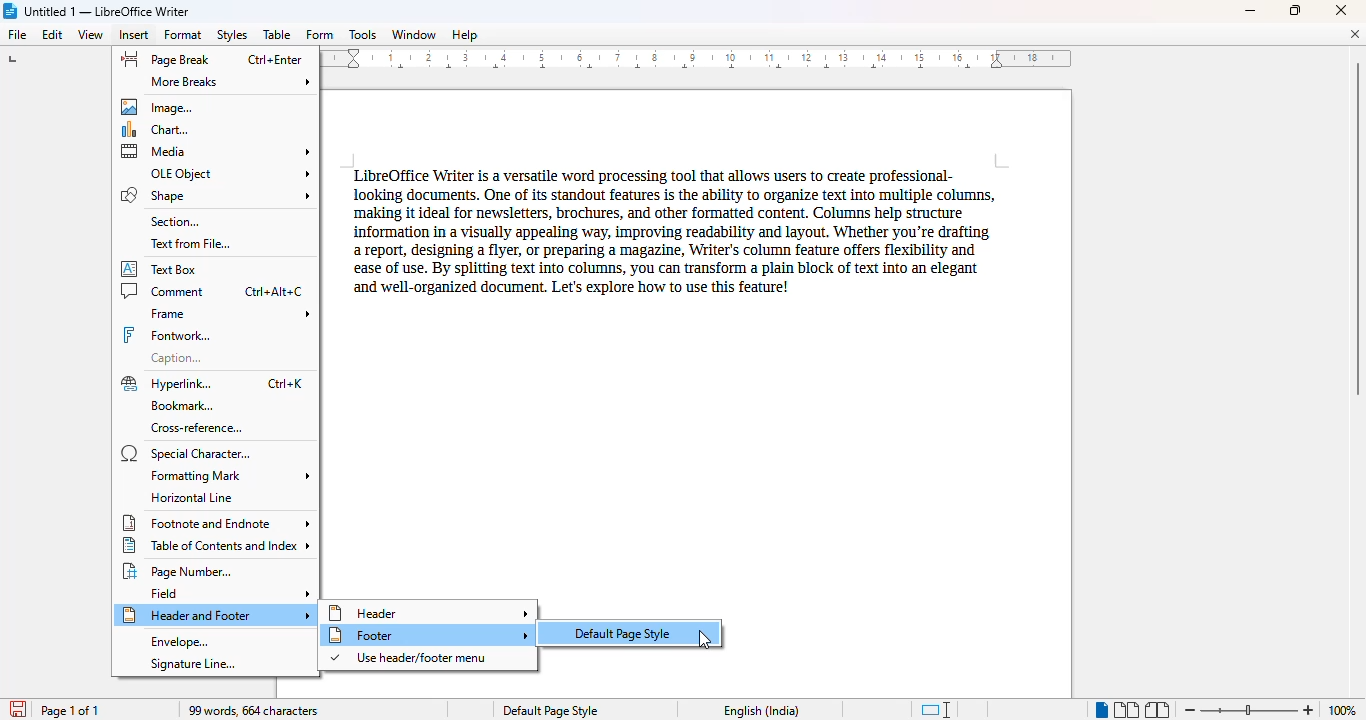  Describe the element at coordinates (70, 710) in the screenshot. I see `page 1 of 1` at that location.